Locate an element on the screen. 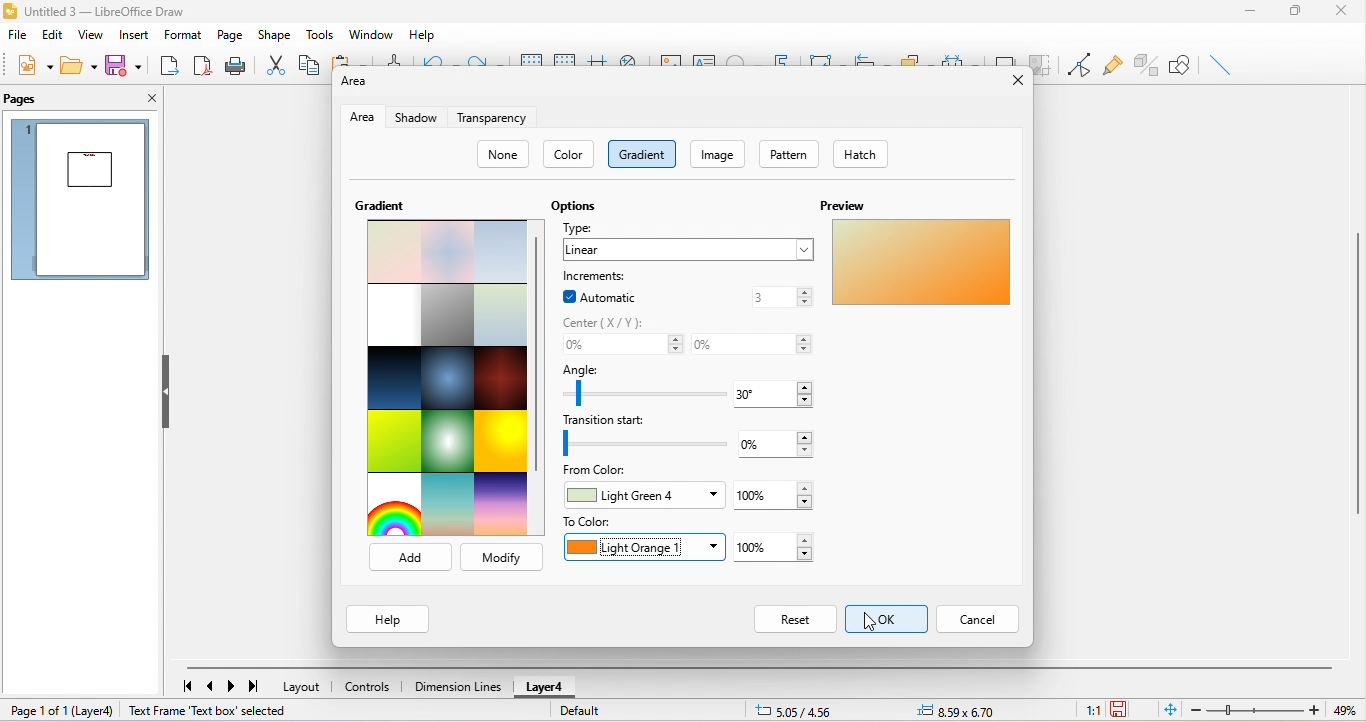 The width and height of the screenshot is (1366, 722). london mist is located at coordinates (448, 316).